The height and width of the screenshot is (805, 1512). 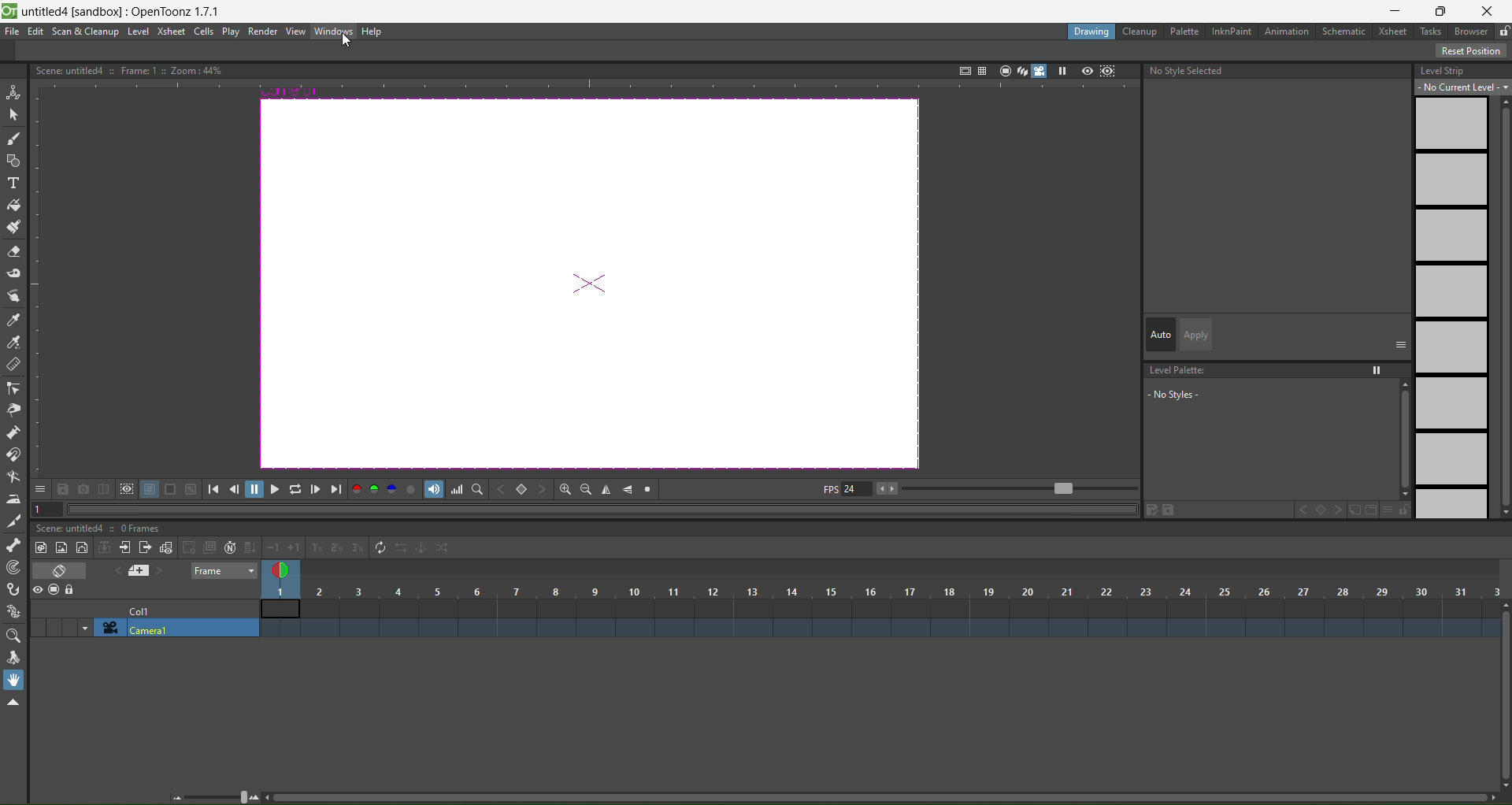 I want to click on create blank drawing, so click(x=198, y=547).